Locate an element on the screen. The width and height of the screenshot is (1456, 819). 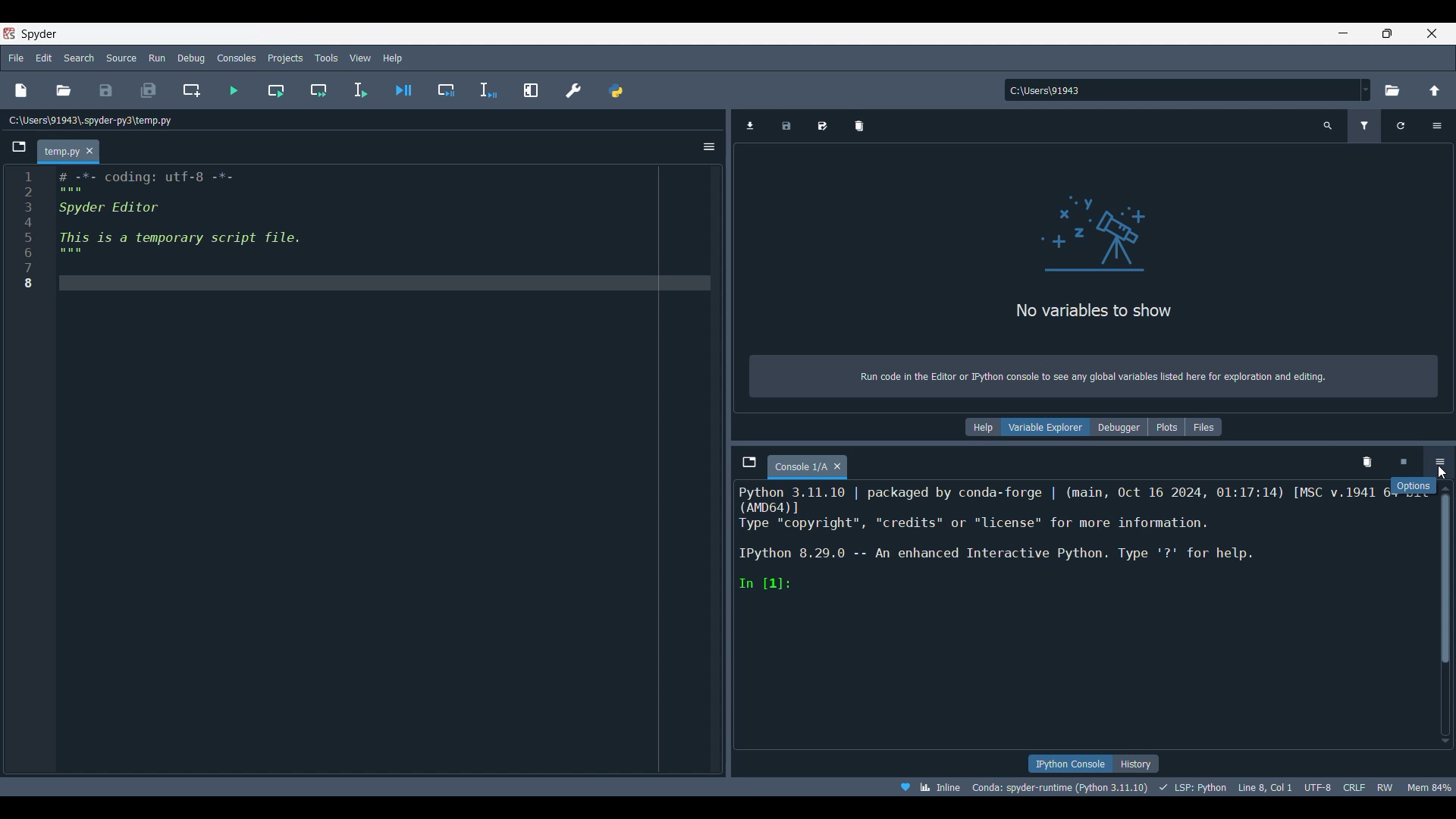
Browse tabs is located at coordinates (19, 146).